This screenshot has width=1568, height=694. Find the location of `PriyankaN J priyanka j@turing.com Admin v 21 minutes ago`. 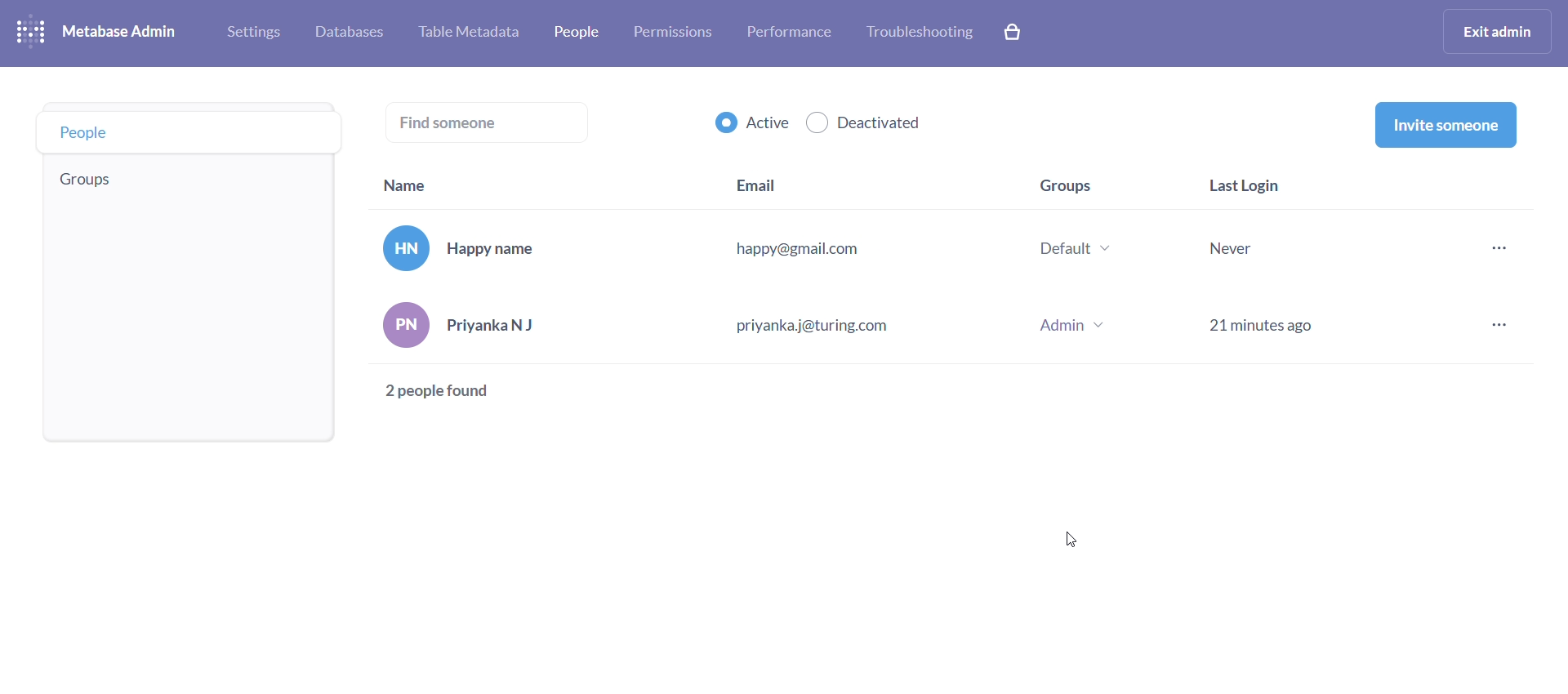

PriyankaN J priyanka j@turing.com Admin v 21 minutes ago is located at coordinates (845, 329).